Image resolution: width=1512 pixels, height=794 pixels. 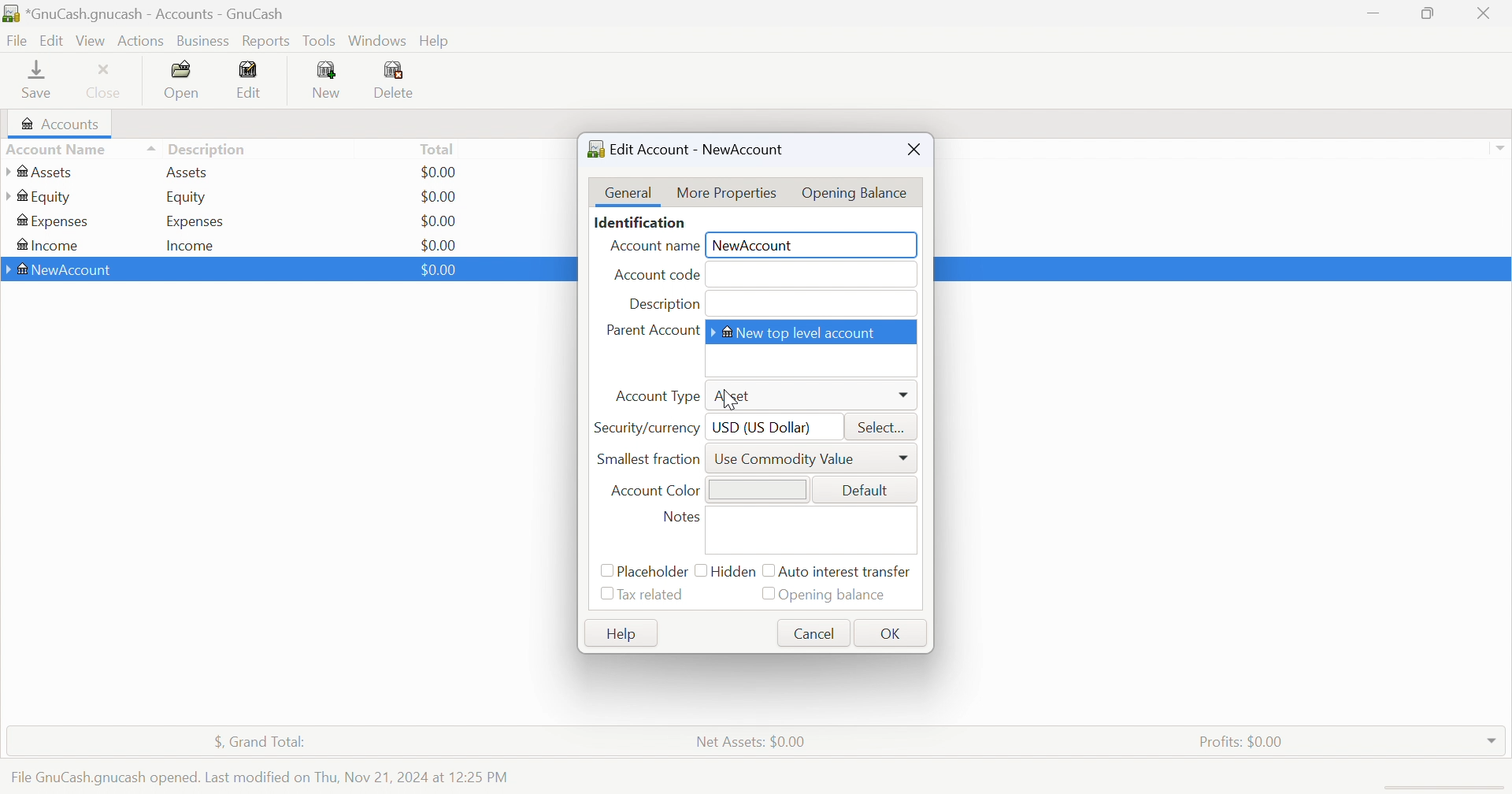 What do you see at coordinates (265, 42) in the screenshot?
I see `Reports` at bounding box center [265, 42].